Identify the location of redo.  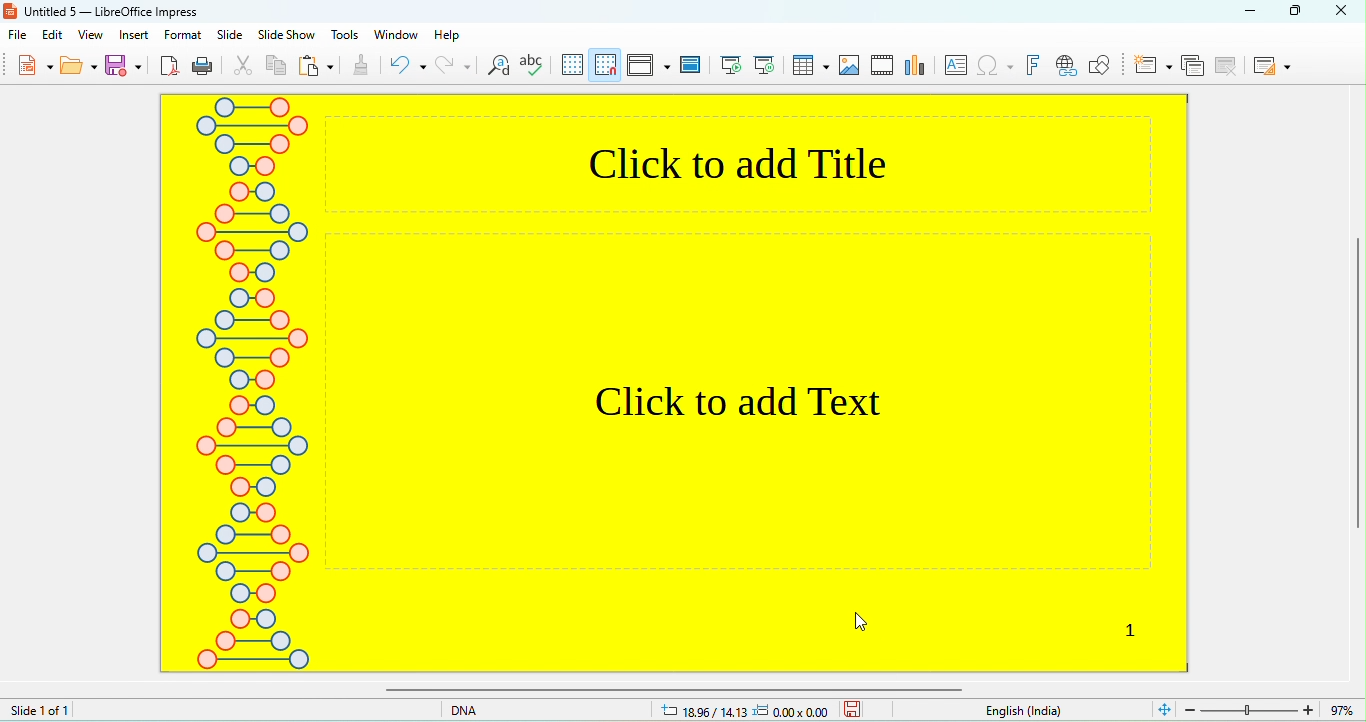
(453, 65).